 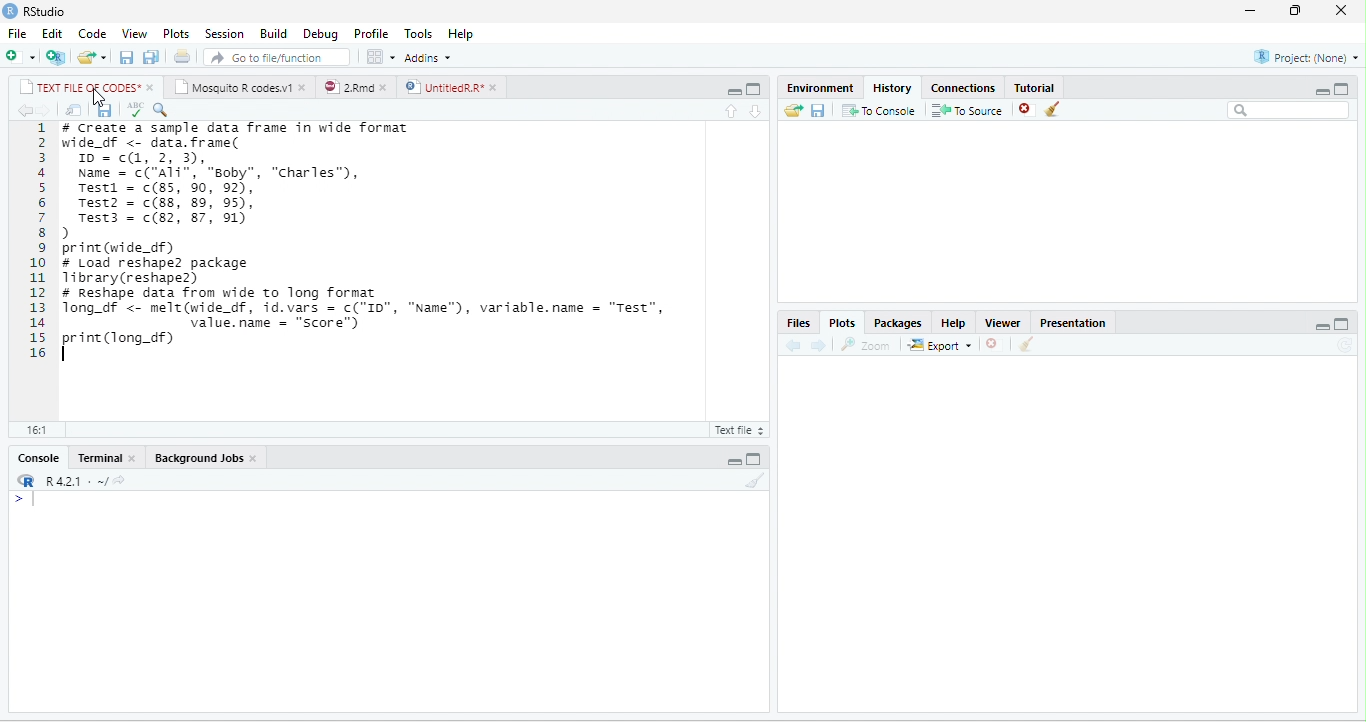 What do you see at coordinates (197, 457) in the screenshot?
I see `Background Jobs` at bounding box center [197, 457].